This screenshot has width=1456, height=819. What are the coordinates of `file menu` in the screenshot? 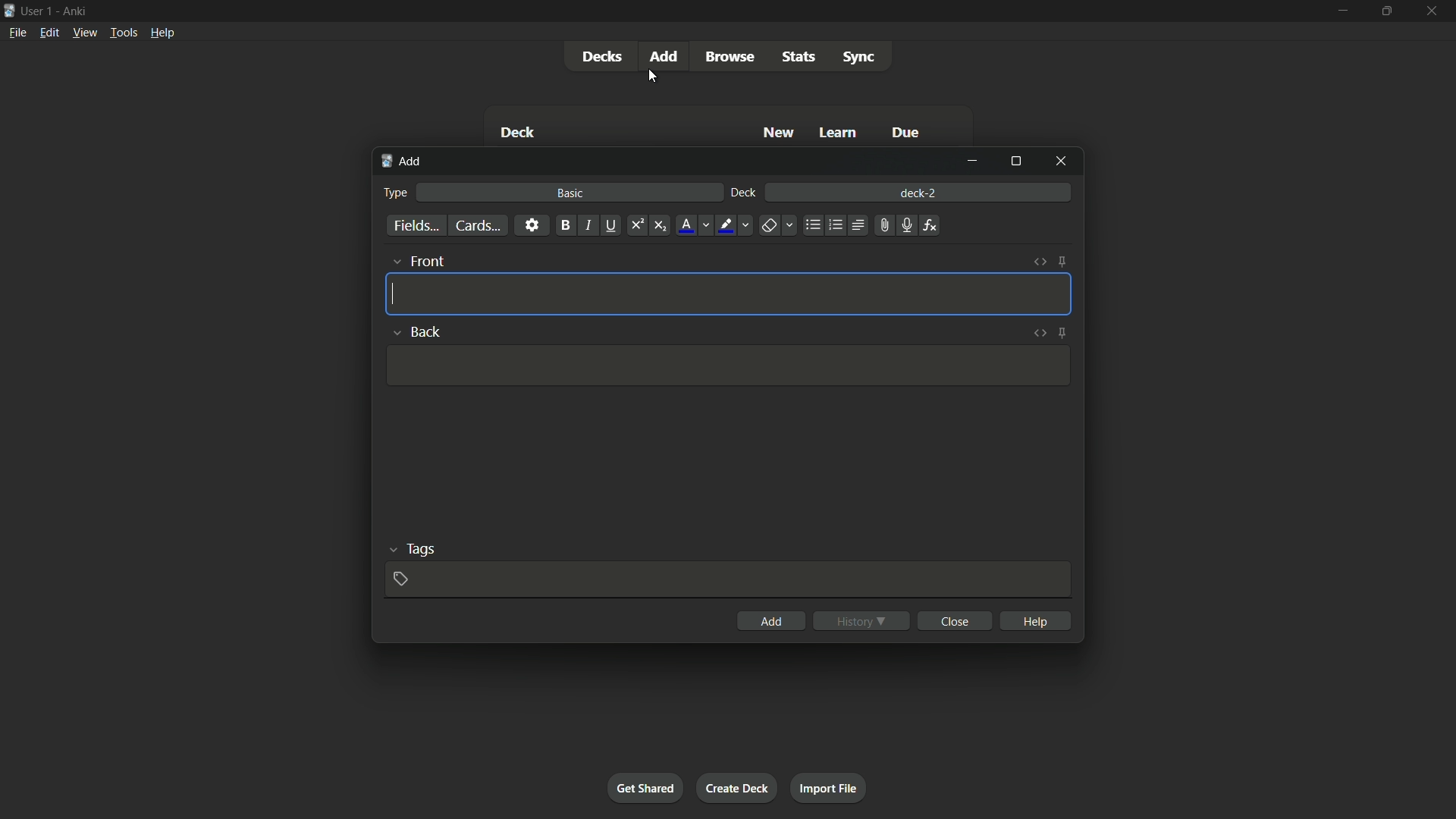 It's located at (16, 33).